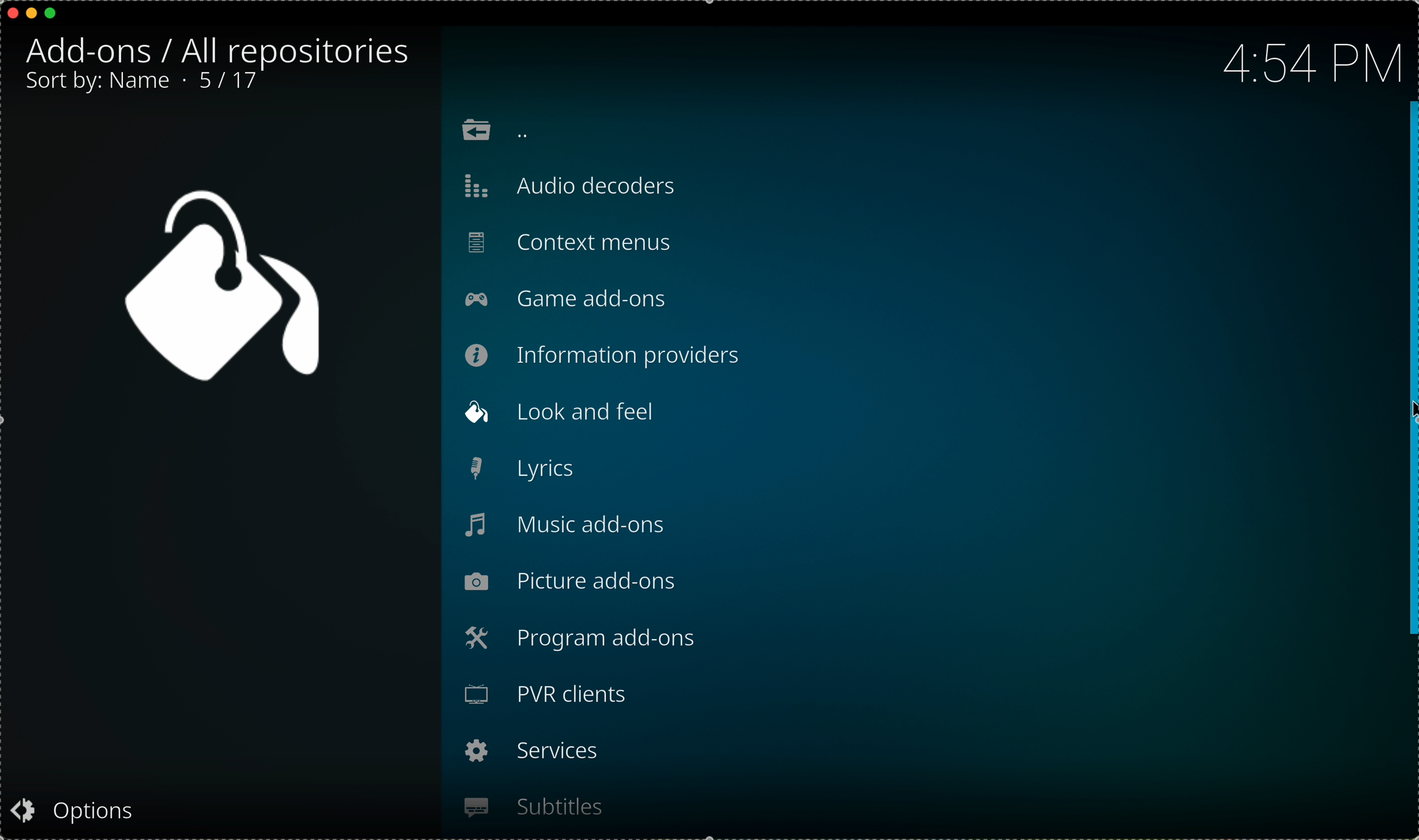 The width and height of the screenshot is (1419, 840). What do you see at coordinates (233, 82) in the screenshot?
I see `5/17` at bounding box center [233, 82].